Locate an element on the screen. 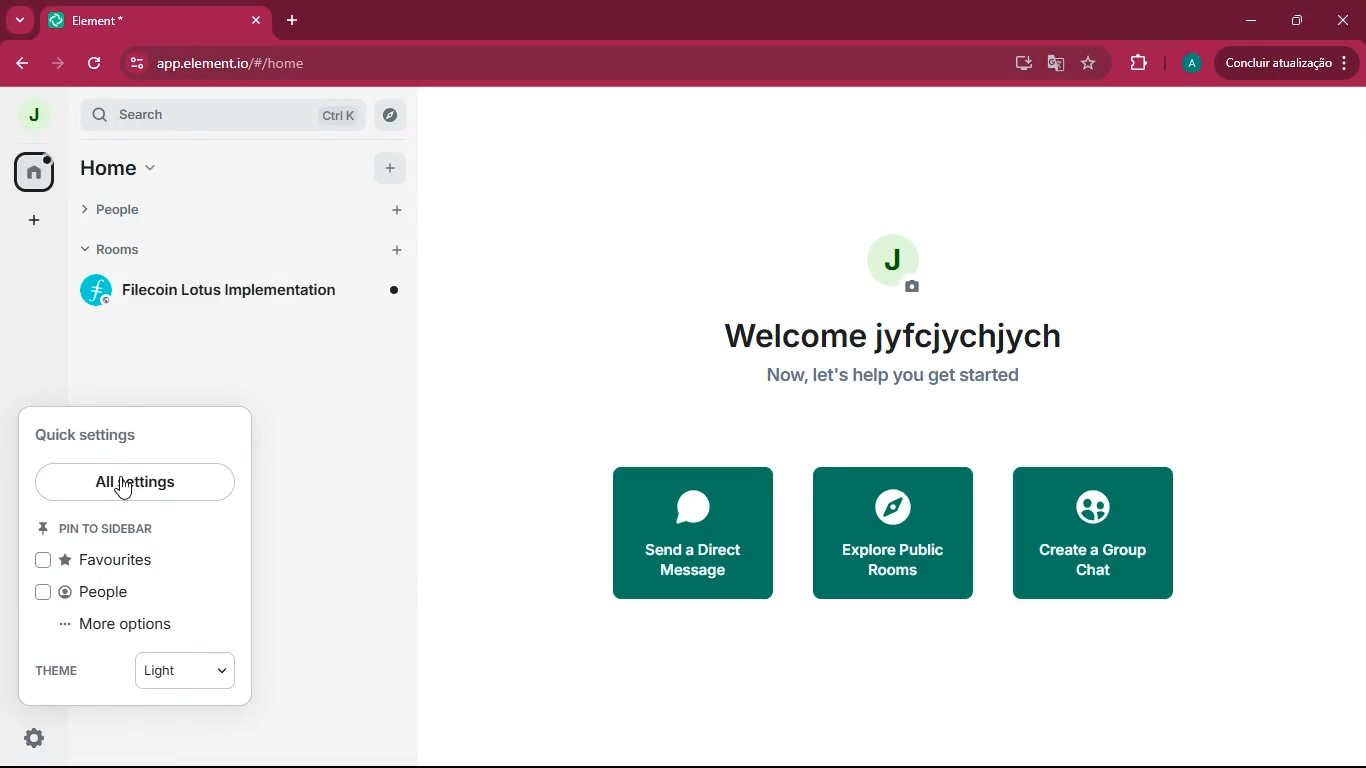 The height and width of the screenshot is (768, 1366). home is located at coordinates (33, 171).